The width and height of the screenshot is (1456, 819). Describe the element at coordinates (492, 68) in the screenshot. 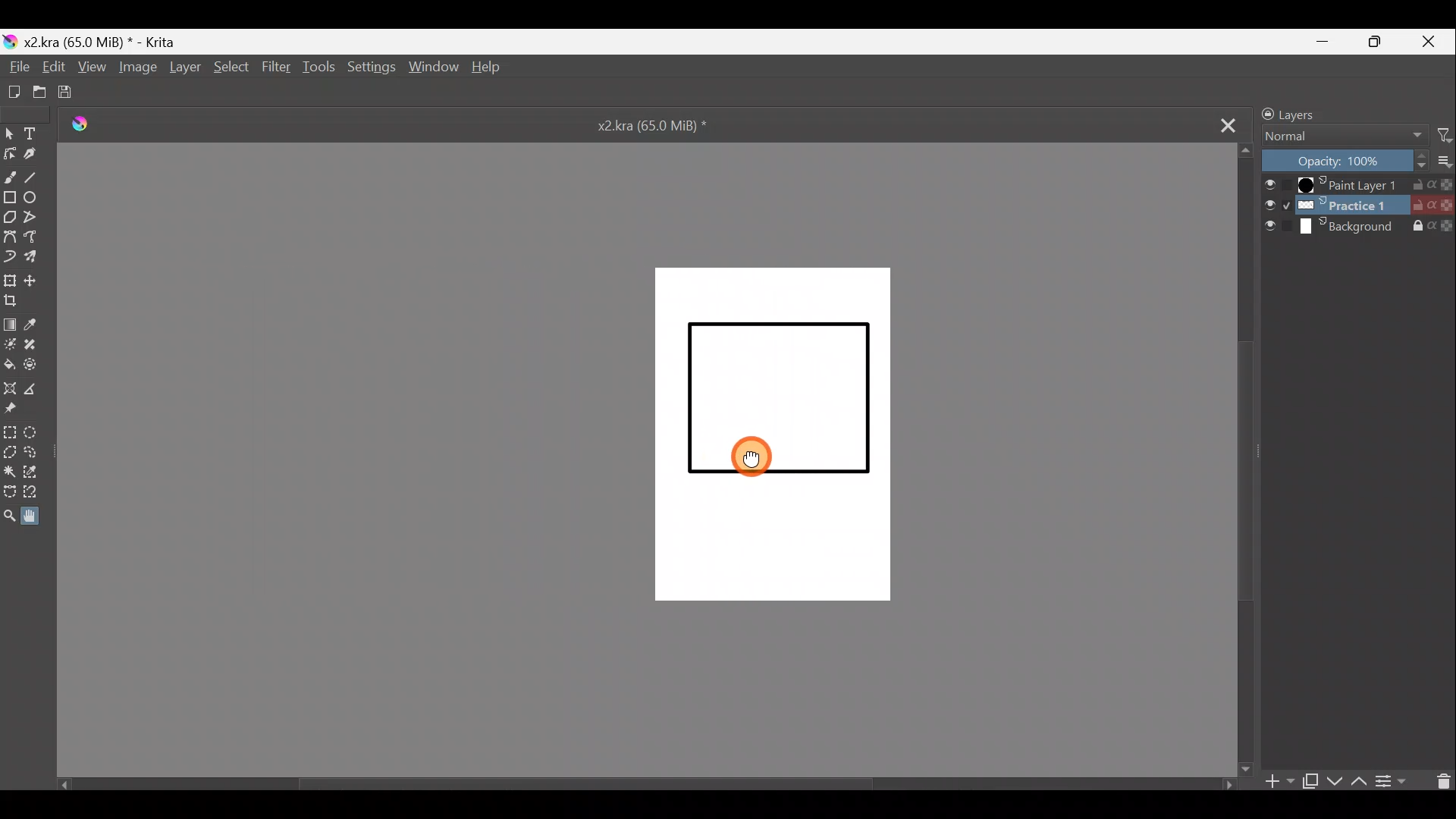

I see `Help` at that location.